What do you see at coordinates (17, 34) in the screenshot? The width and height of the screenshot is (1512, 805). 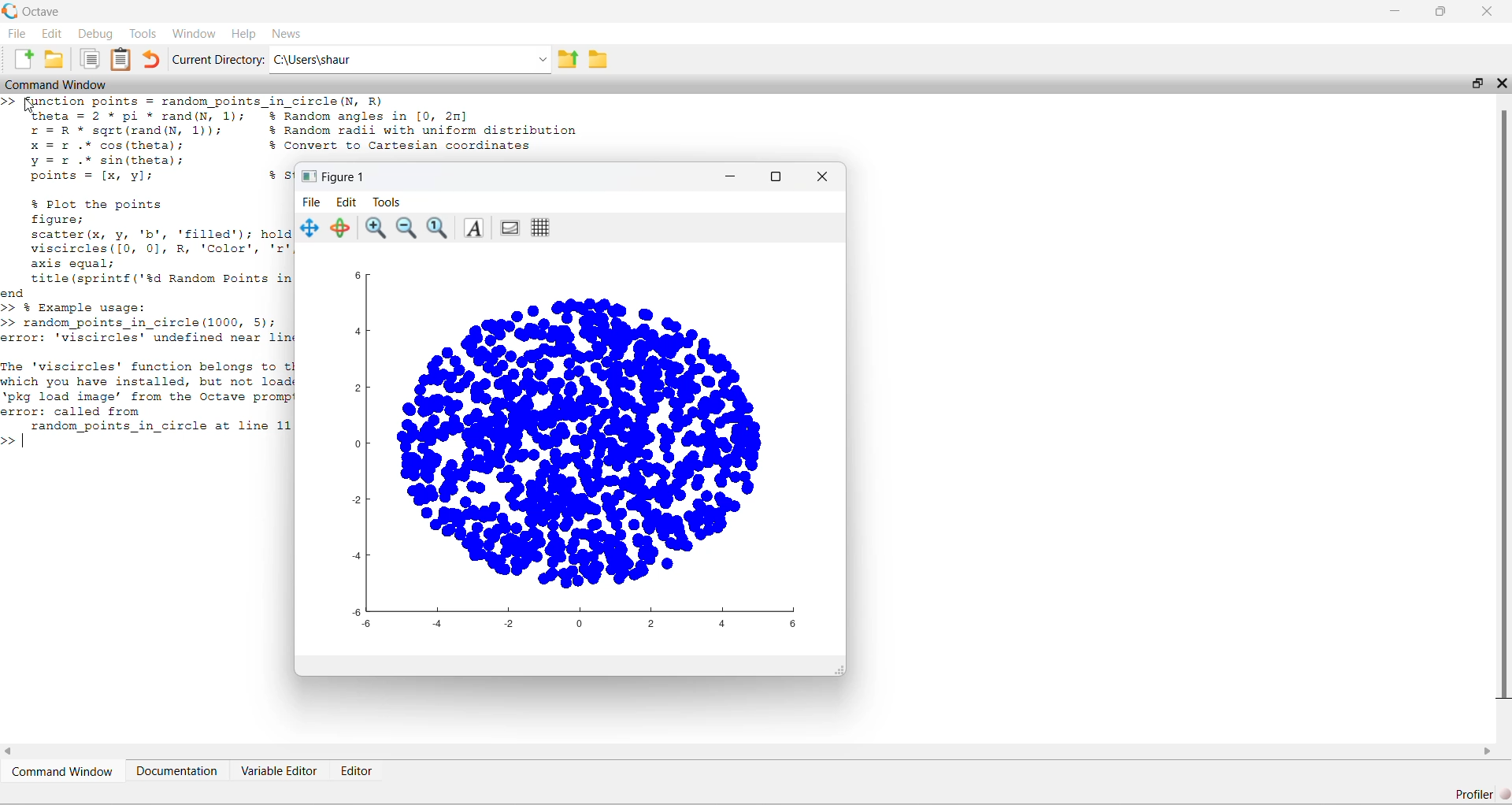 I see `File` at bounding box center [17, 34].